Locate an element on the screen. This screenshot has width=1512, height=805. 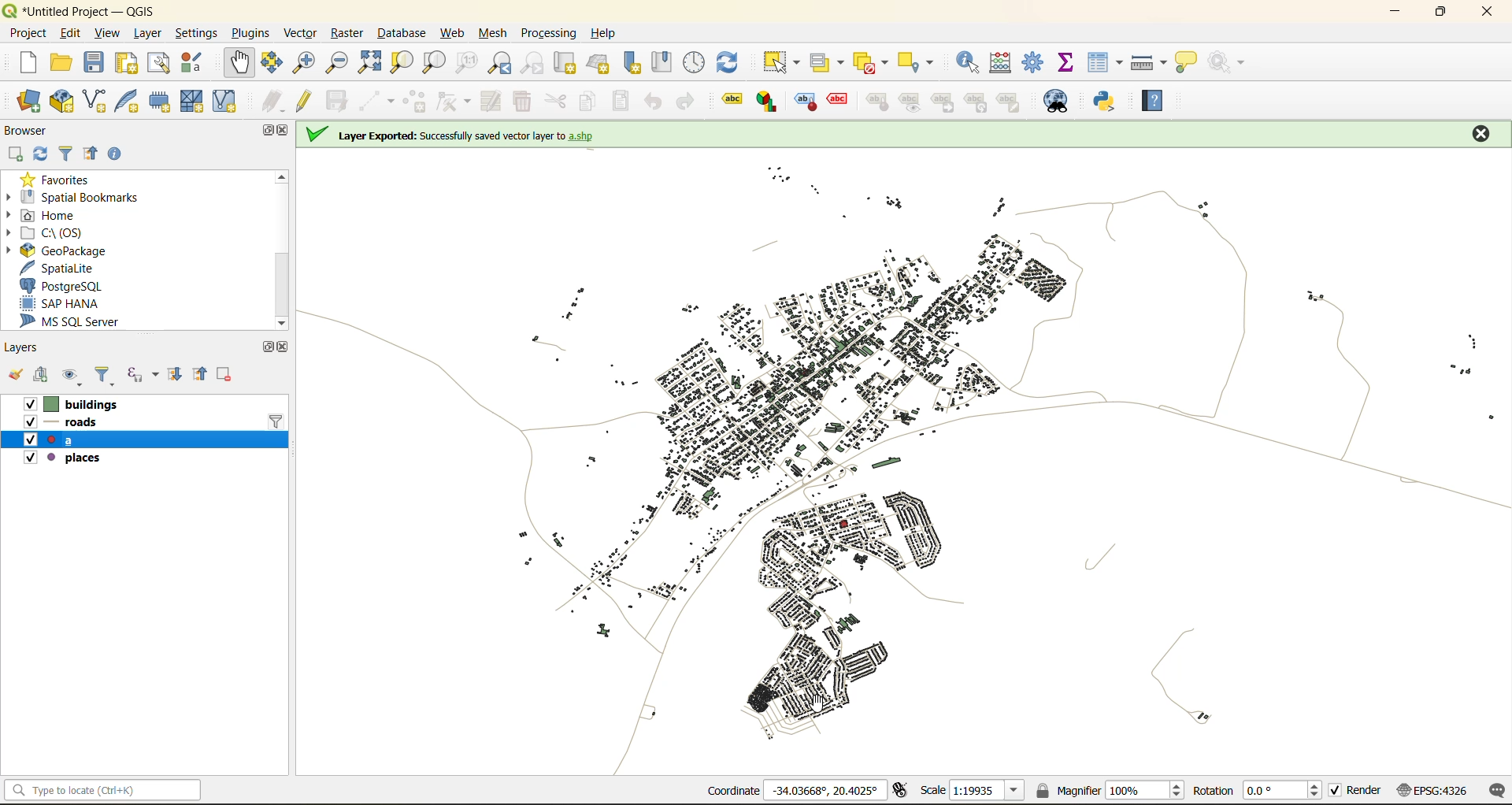
refresh is located at coordinates (736, 59).